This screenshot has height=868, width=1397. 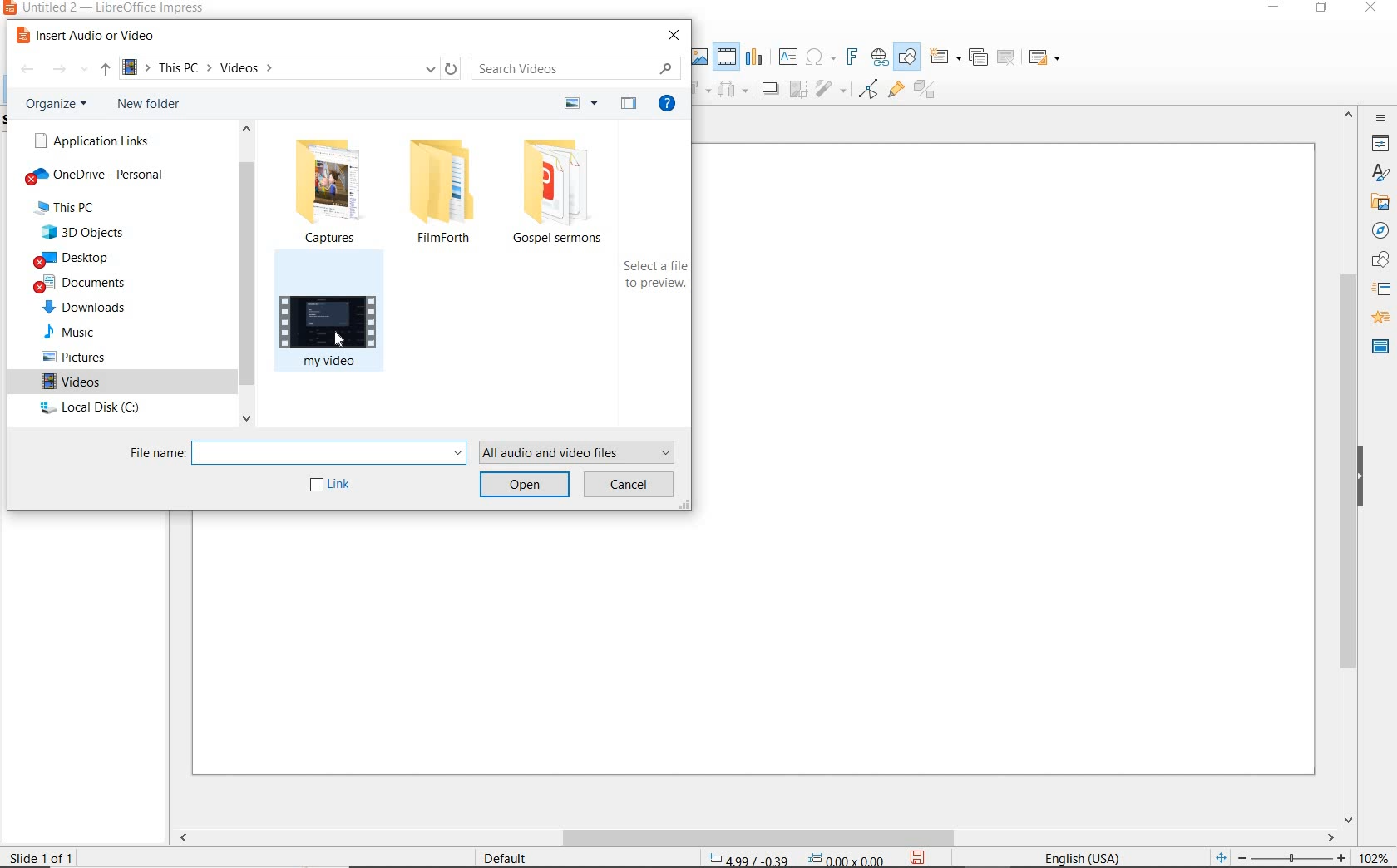 What do you see at coordinates (1380, 176) in the screenshot?
I see `styles` at bounding box center [1380, 176].